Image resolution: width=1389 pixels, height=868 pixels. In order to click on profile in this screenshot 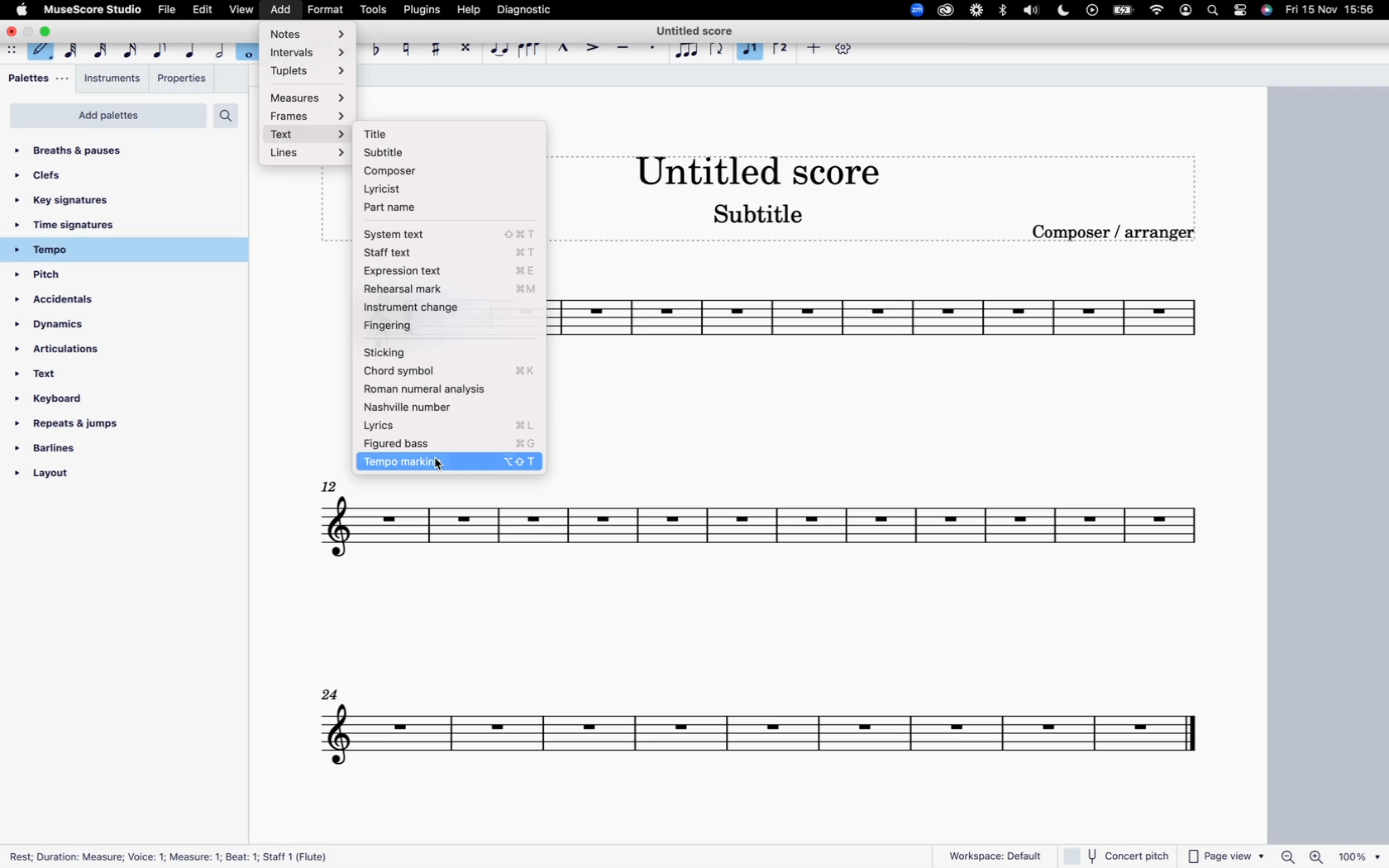, I will do `click(1185, 12)`.